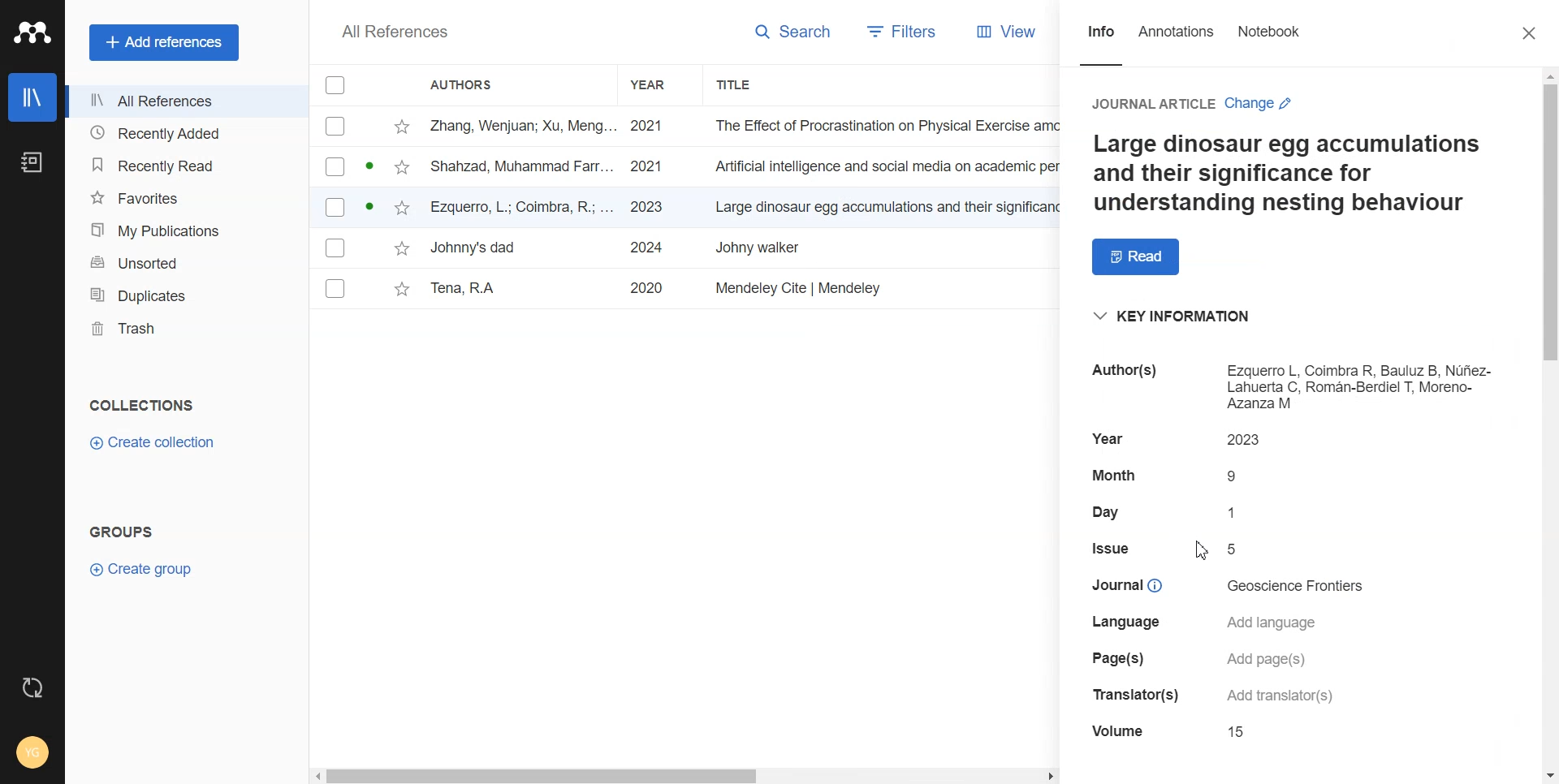 The image size is (1559, 784). What do you see at coordinates (749, 125) in the screenshot?
I see `File` at bounding box center [749, 125].